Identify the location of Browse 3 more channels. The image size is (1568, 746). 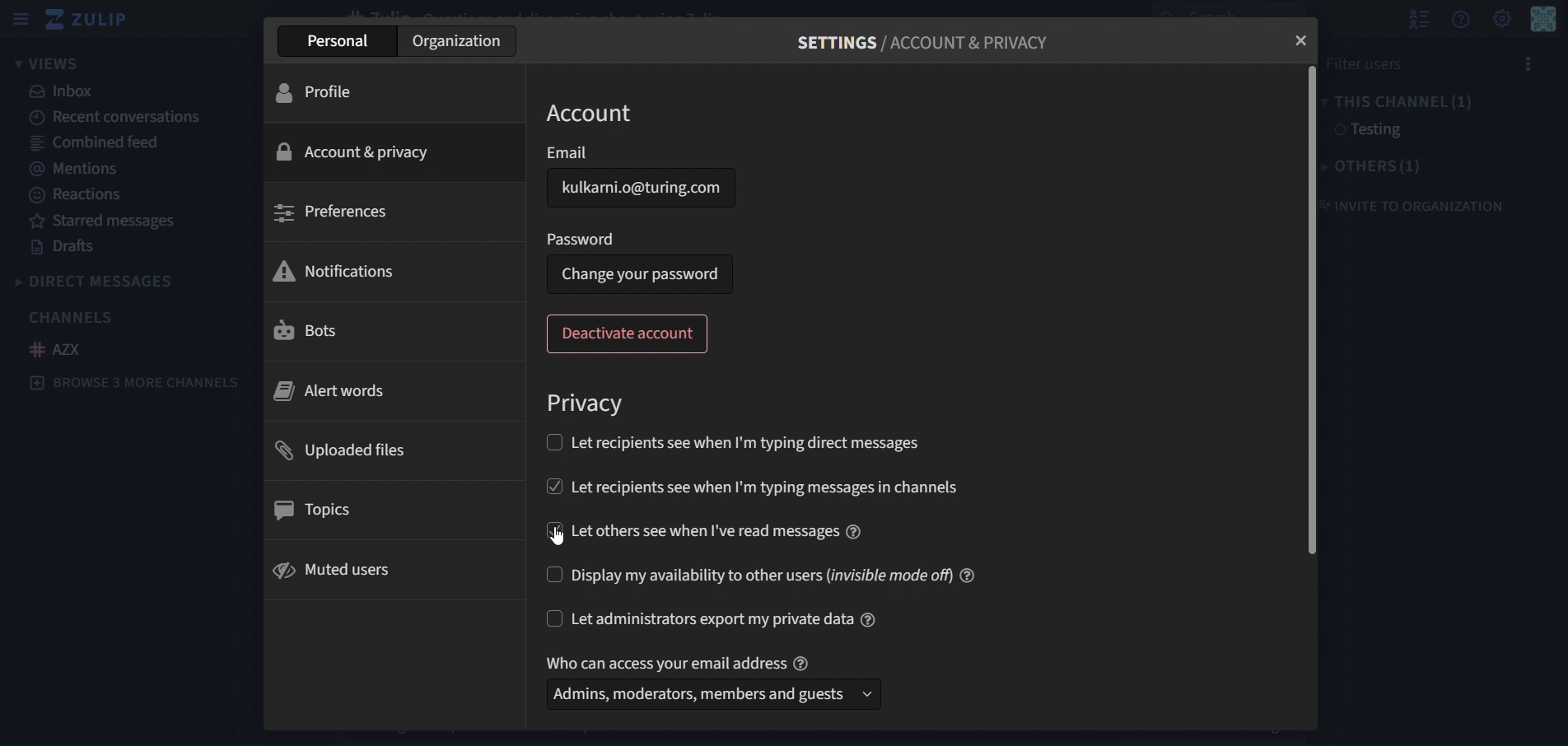
(140, 385).